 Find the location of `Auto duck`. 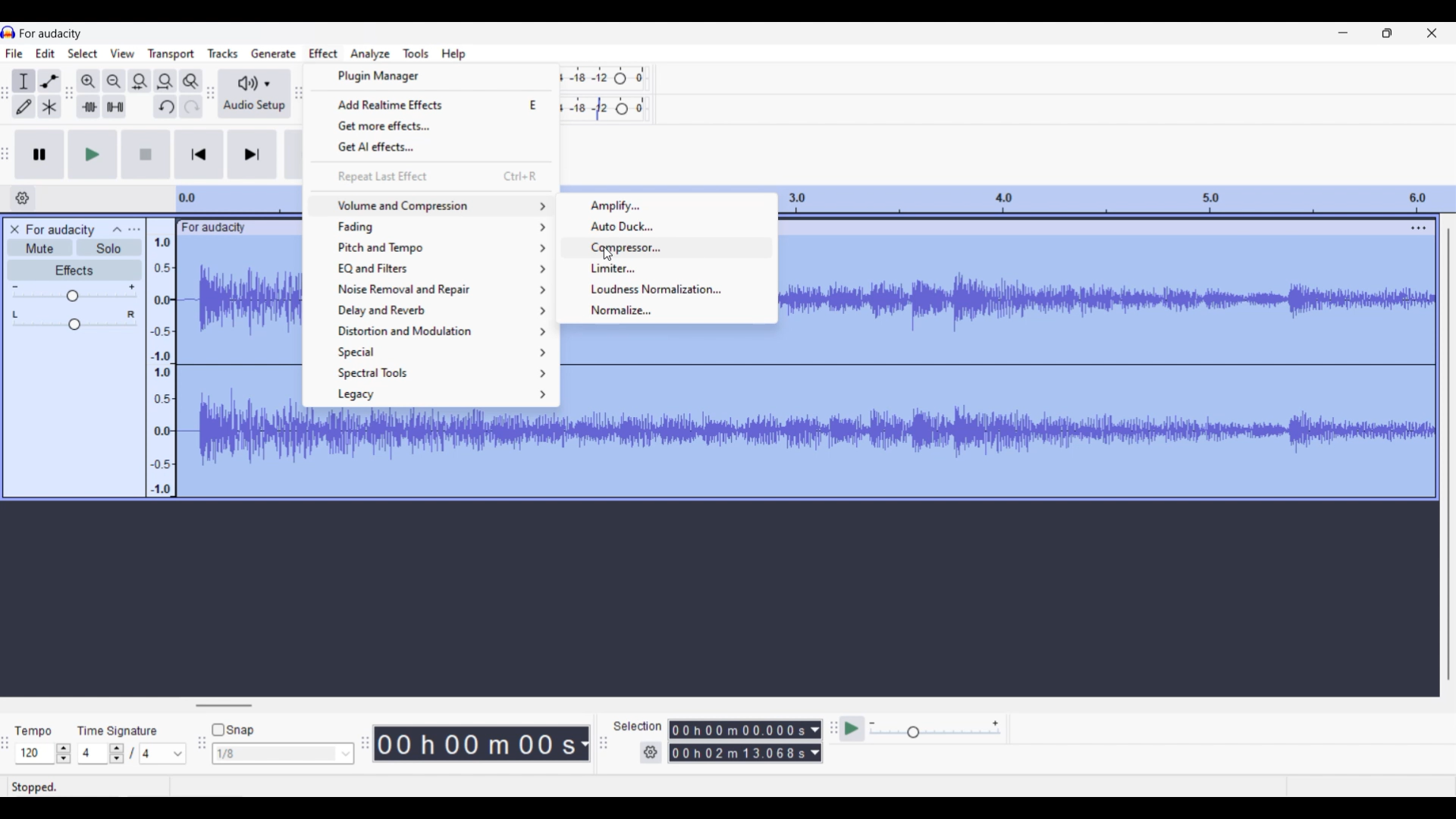

Auto duck is located at coordinates (666, 226).